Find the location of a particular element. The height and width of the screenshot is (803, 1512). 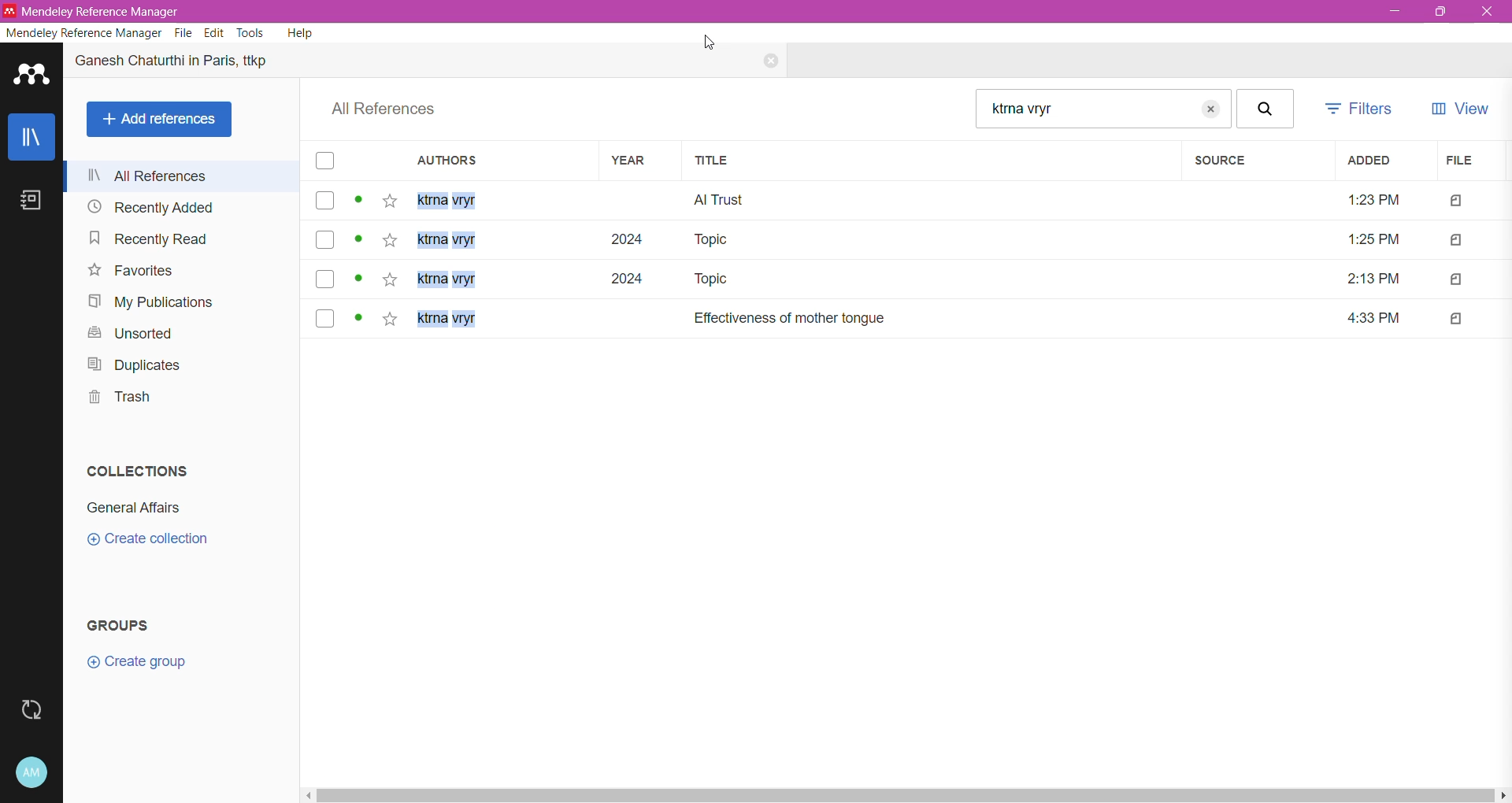

file type is located at coordinates (1455, 278).